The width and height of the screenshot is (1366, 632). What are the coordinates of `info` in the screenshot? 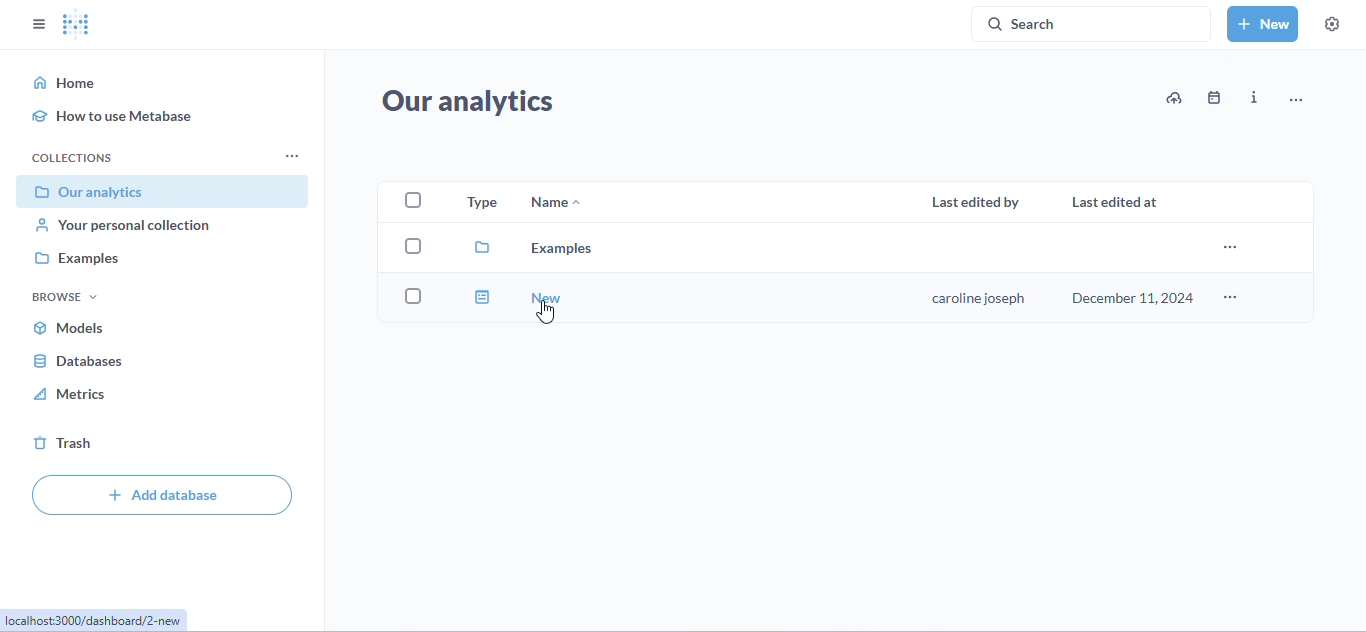 It's located at (1254, 97).